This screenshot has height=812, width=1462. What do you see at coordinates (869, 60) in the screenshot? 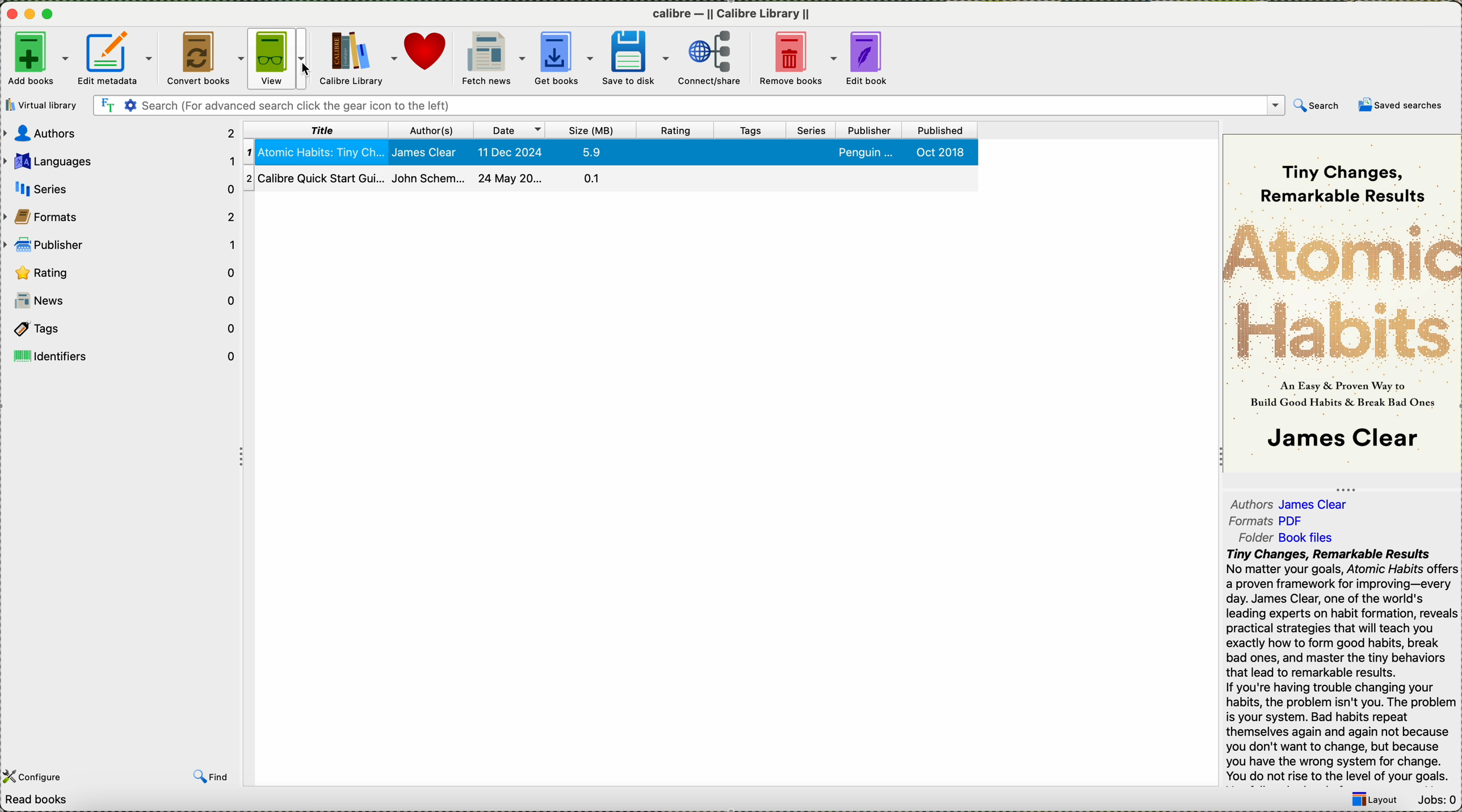
I see `edit book` at bounding box center [869, 60].